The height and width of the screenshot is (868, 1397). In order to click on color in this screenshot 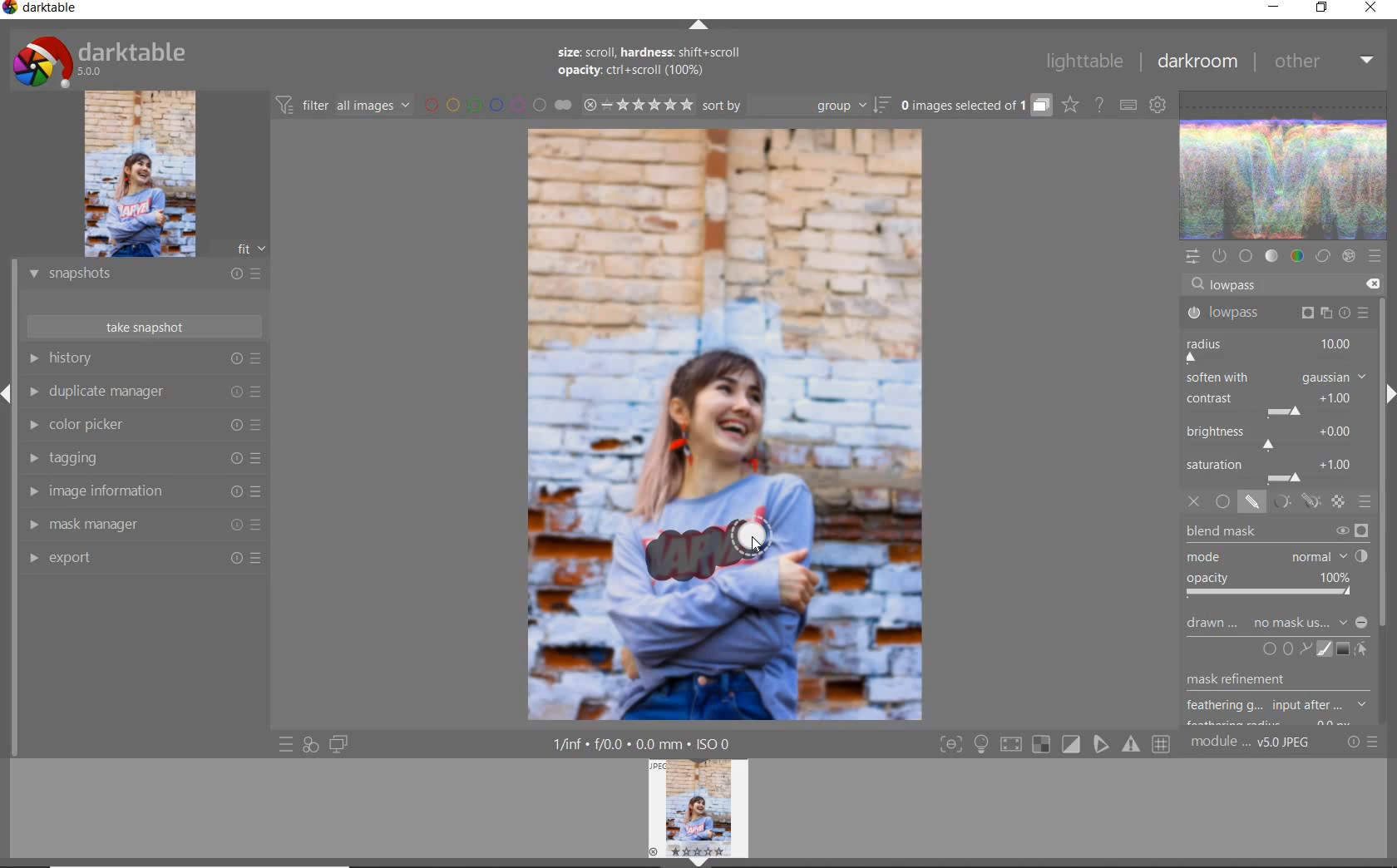, I will do `click(1296, 257)`.